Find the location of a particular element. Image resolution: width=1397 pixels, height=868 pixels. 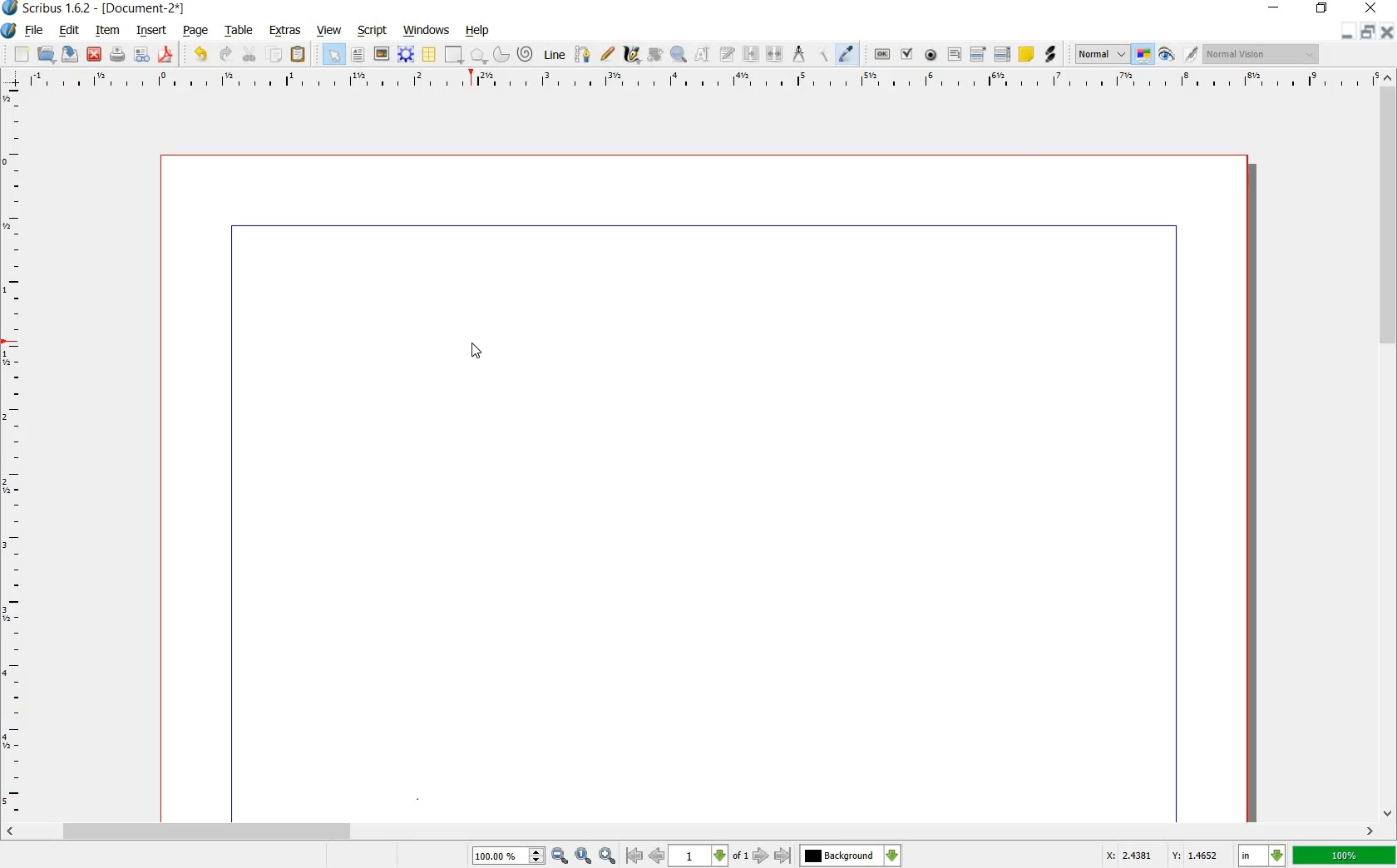

PASTE is located at coordinates (299, 54).